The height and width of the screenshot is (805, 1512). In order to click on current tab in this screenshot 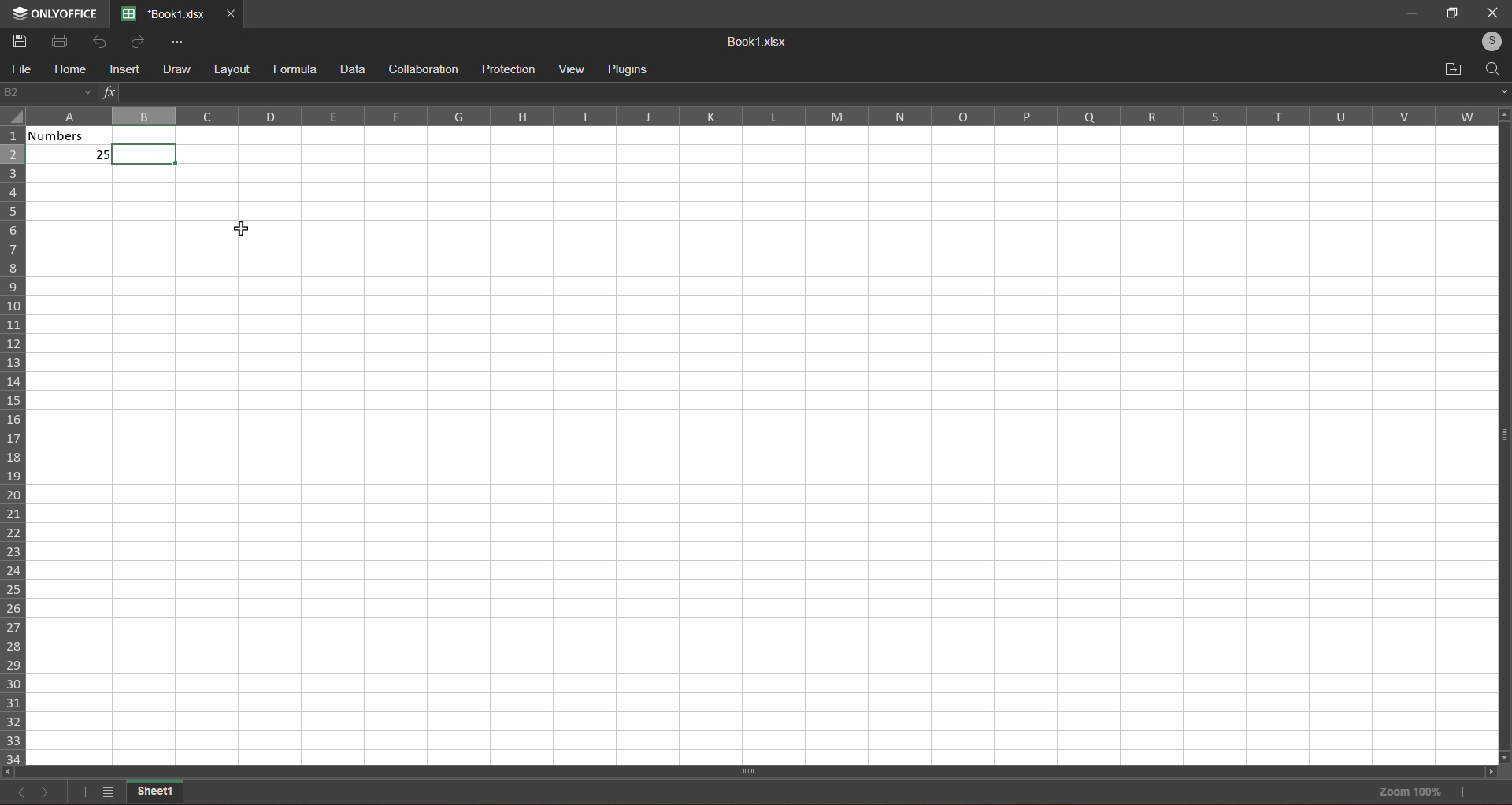, I will do `click(164, 14)`.